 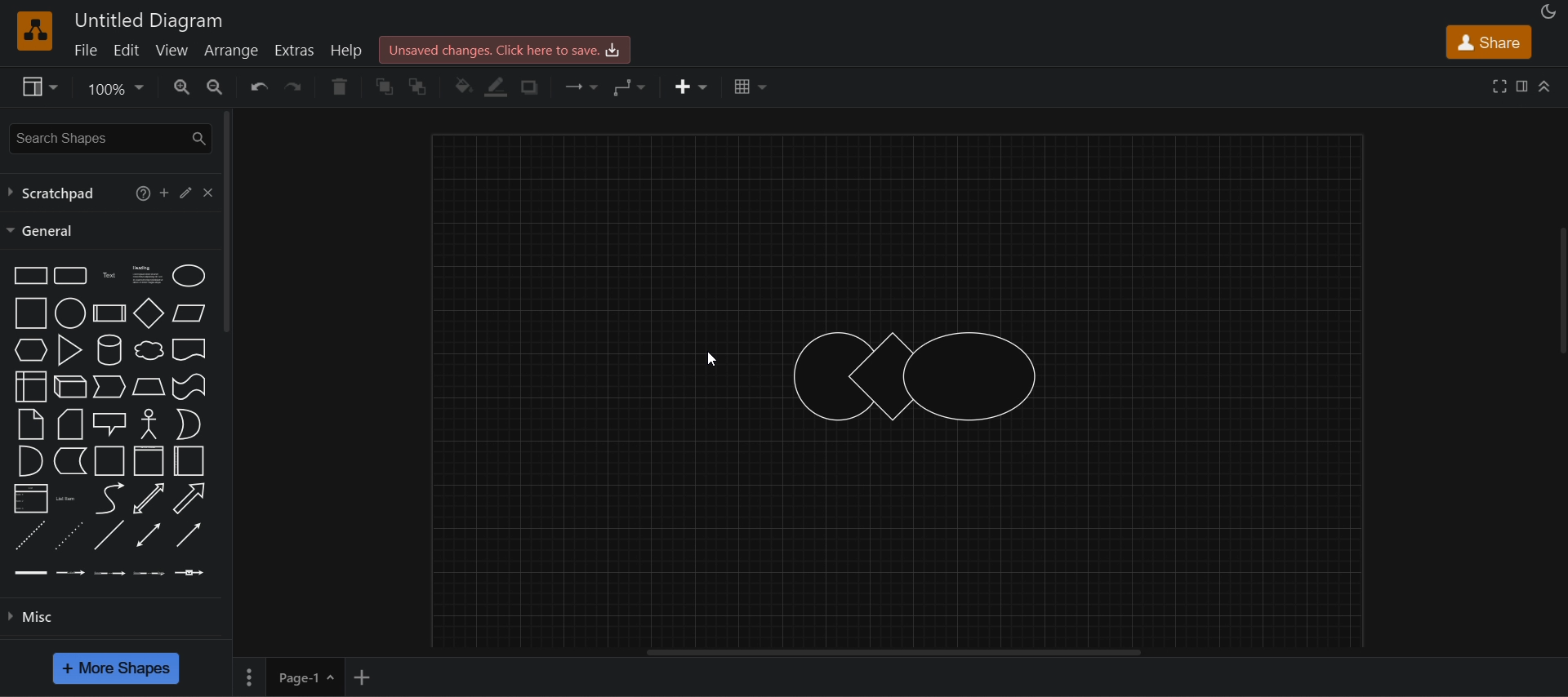 What do you see at coordinates (118, 615) in the screenshot?
I see `misc` at bounding box center [118, 615].